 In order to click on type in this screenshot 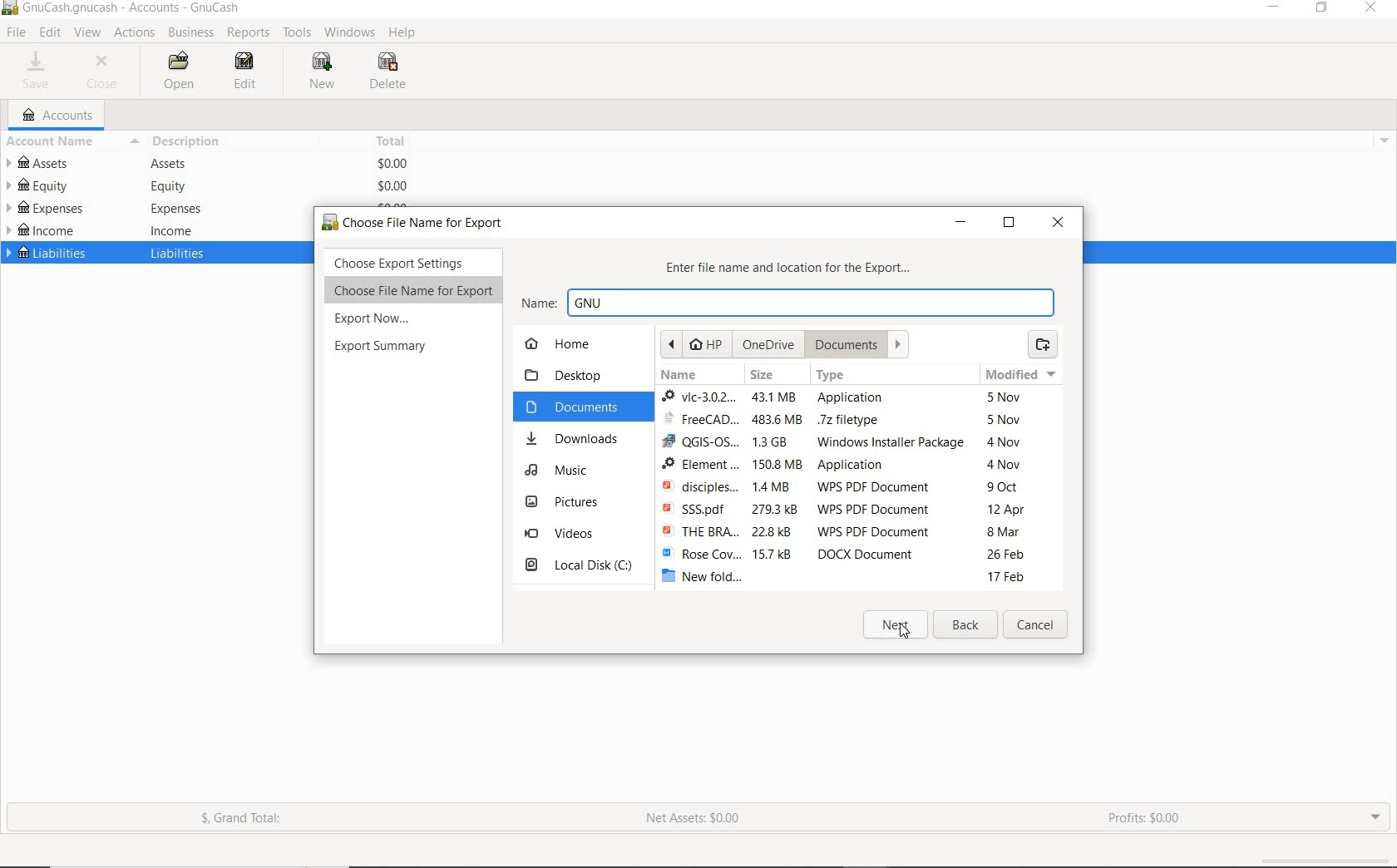, I will do `click(888, 470)`.